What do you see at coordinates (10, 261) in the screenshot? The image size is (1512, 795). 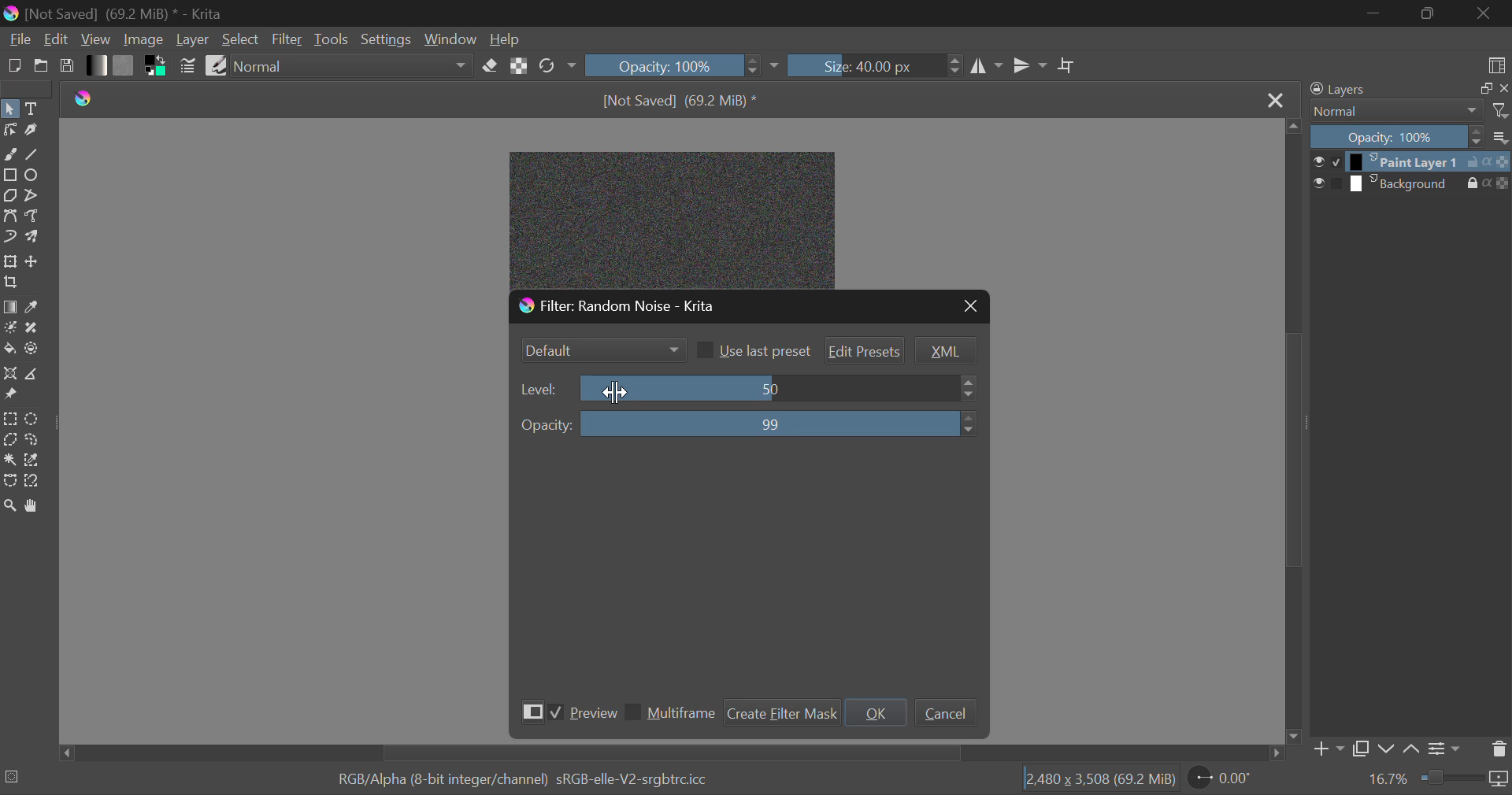 I see `Transform Layer` at bounding box center [10, 261].